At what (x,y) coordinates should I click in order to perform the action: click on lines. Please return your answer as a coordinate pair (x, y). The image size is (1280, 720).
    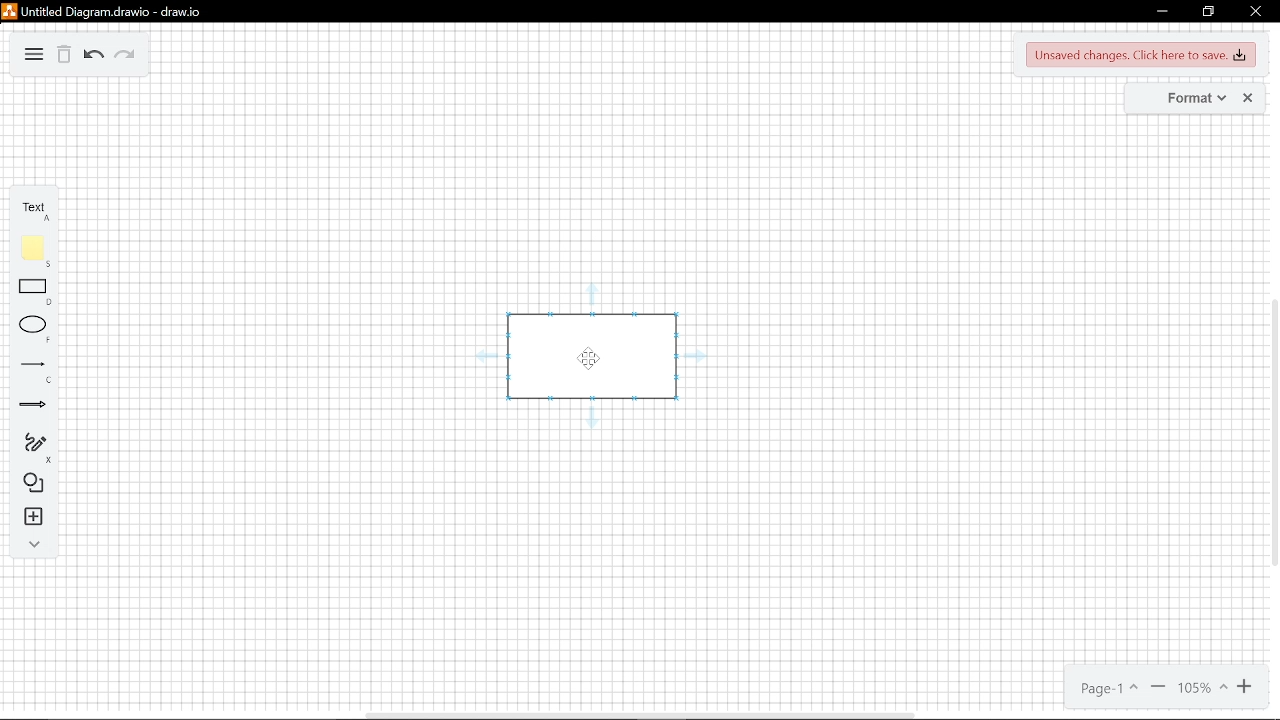
    Looking at the image, I should click on (36, 373).